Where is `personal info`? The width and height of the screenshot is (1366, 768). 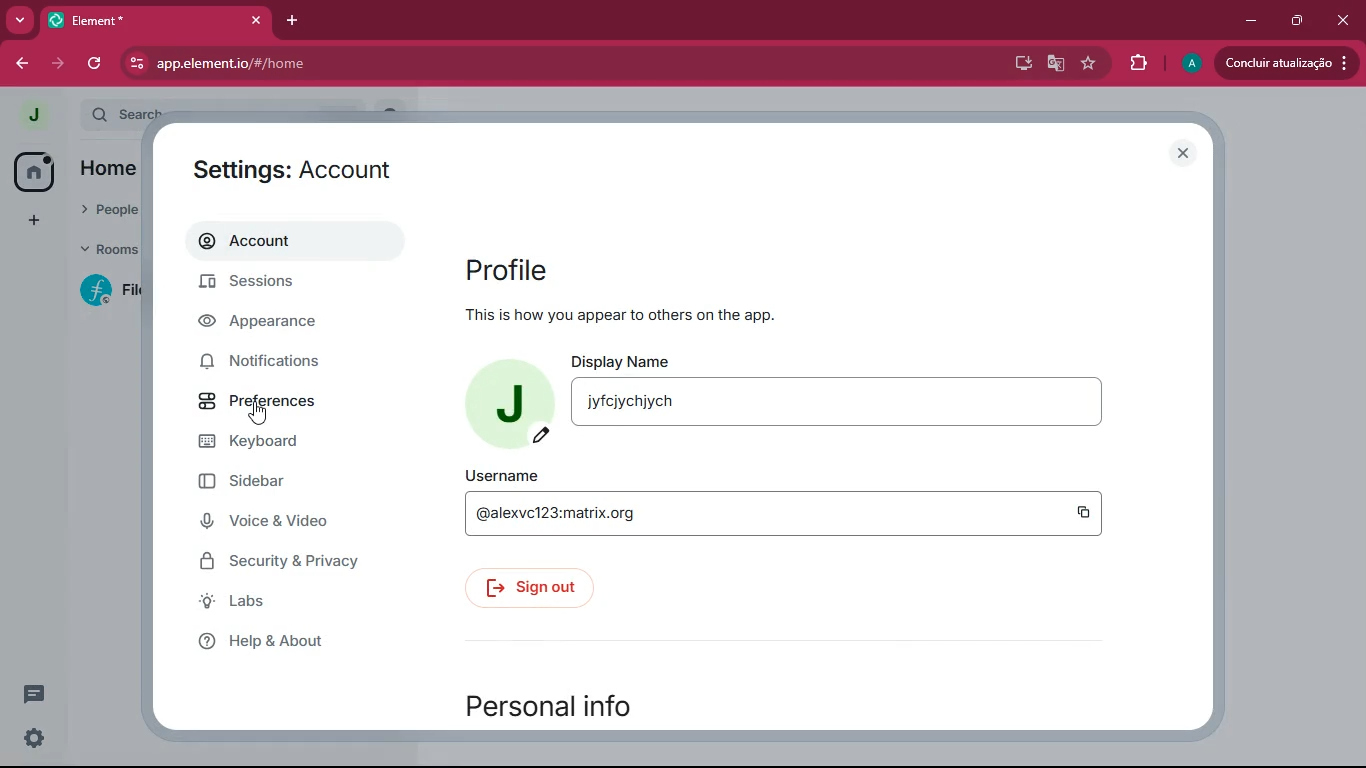 personal info is located at coordinates (560, 707).